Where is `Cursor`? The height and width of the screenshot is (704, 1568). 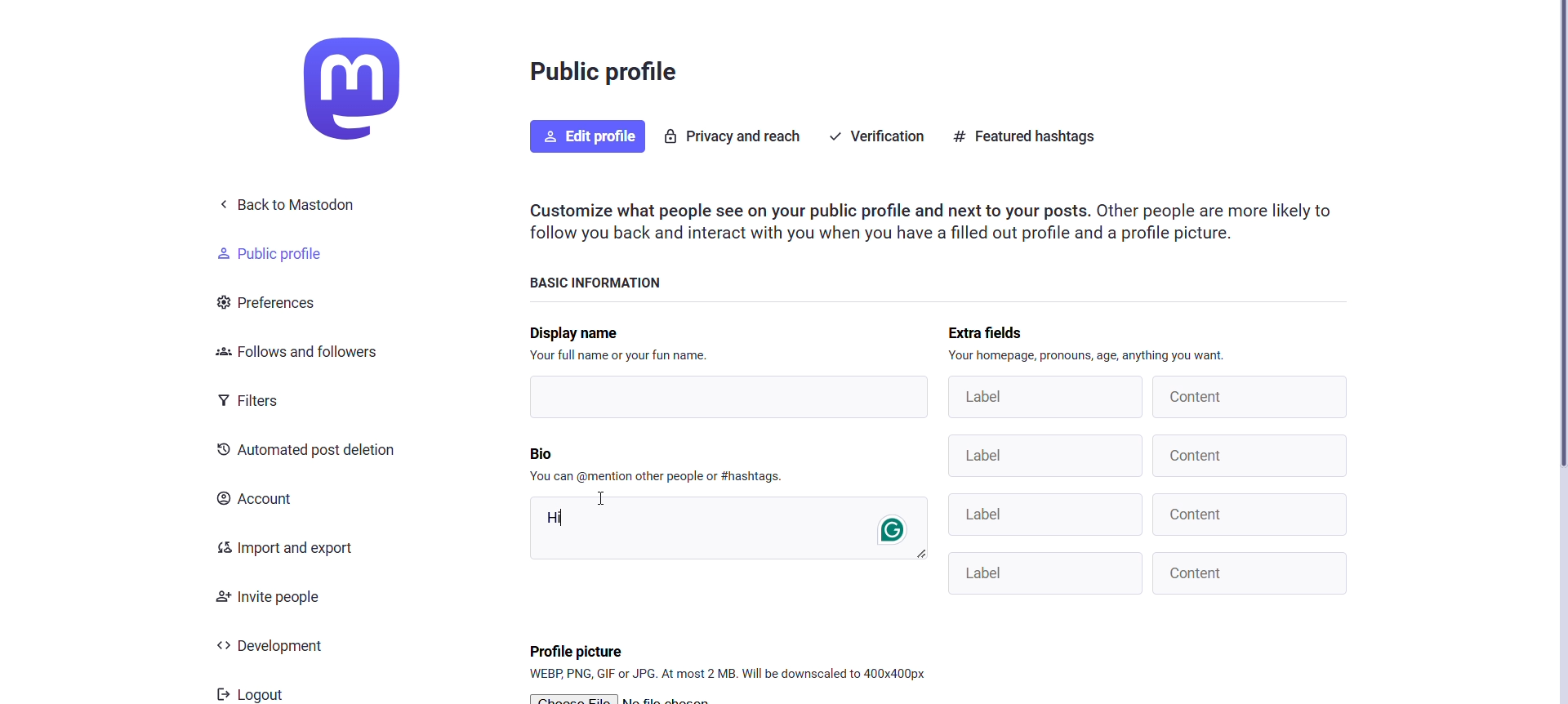 Cursor is located at coordinates (603, 498).